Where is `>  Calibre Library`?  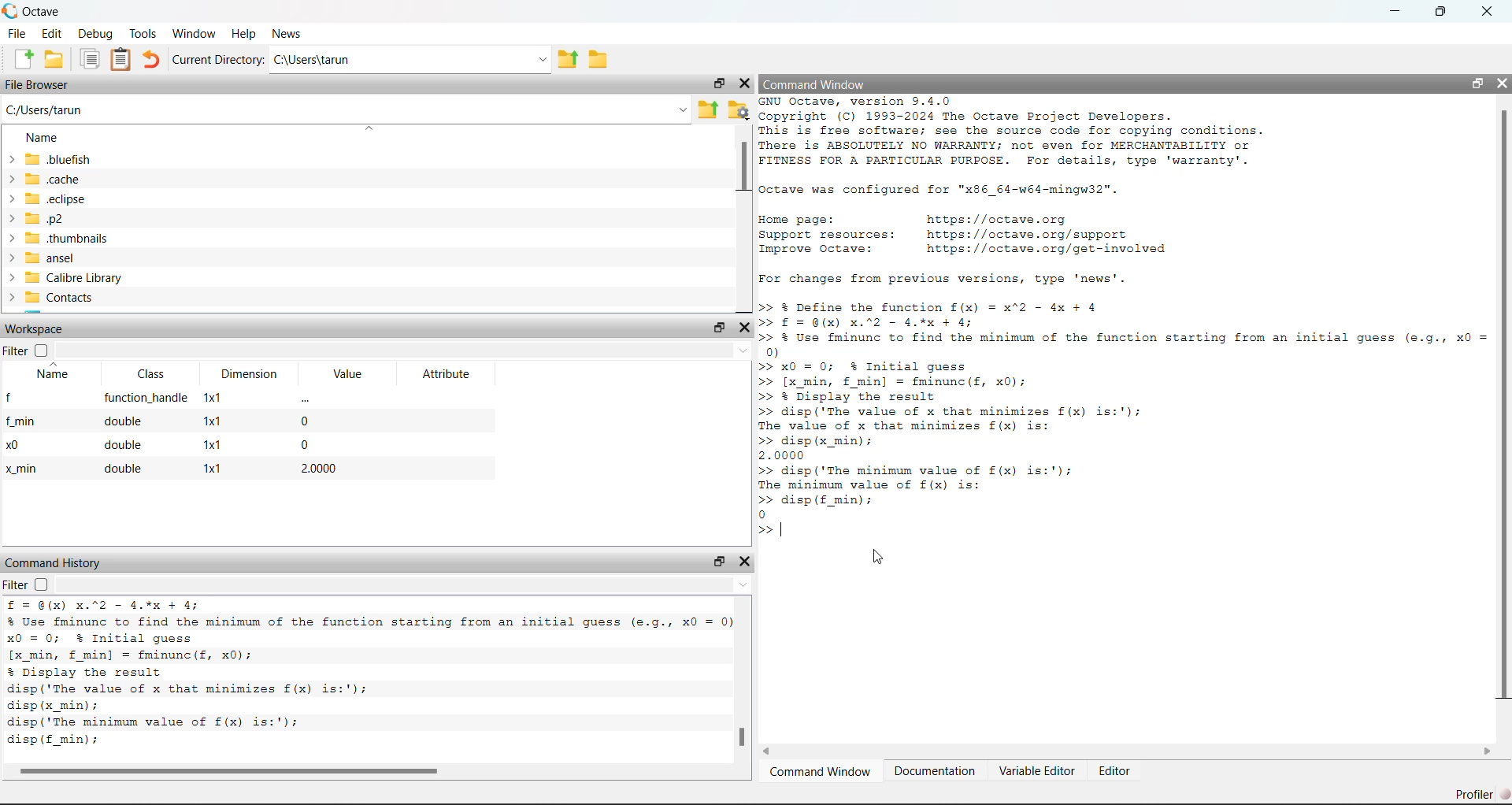 >  Calibre Library is located at coordinates (65, 276).